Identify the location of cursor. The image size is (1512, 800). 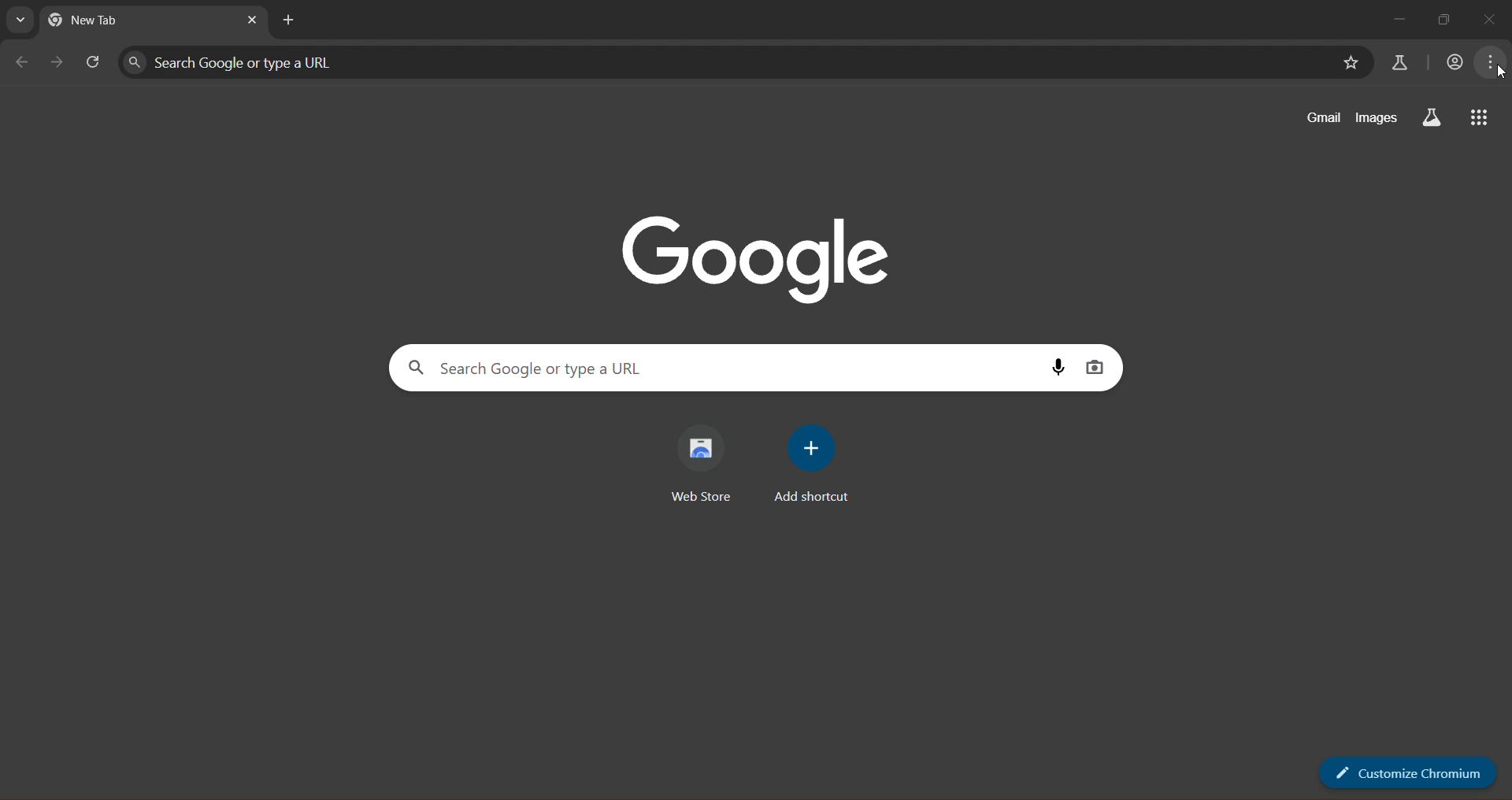
(1502, 74).